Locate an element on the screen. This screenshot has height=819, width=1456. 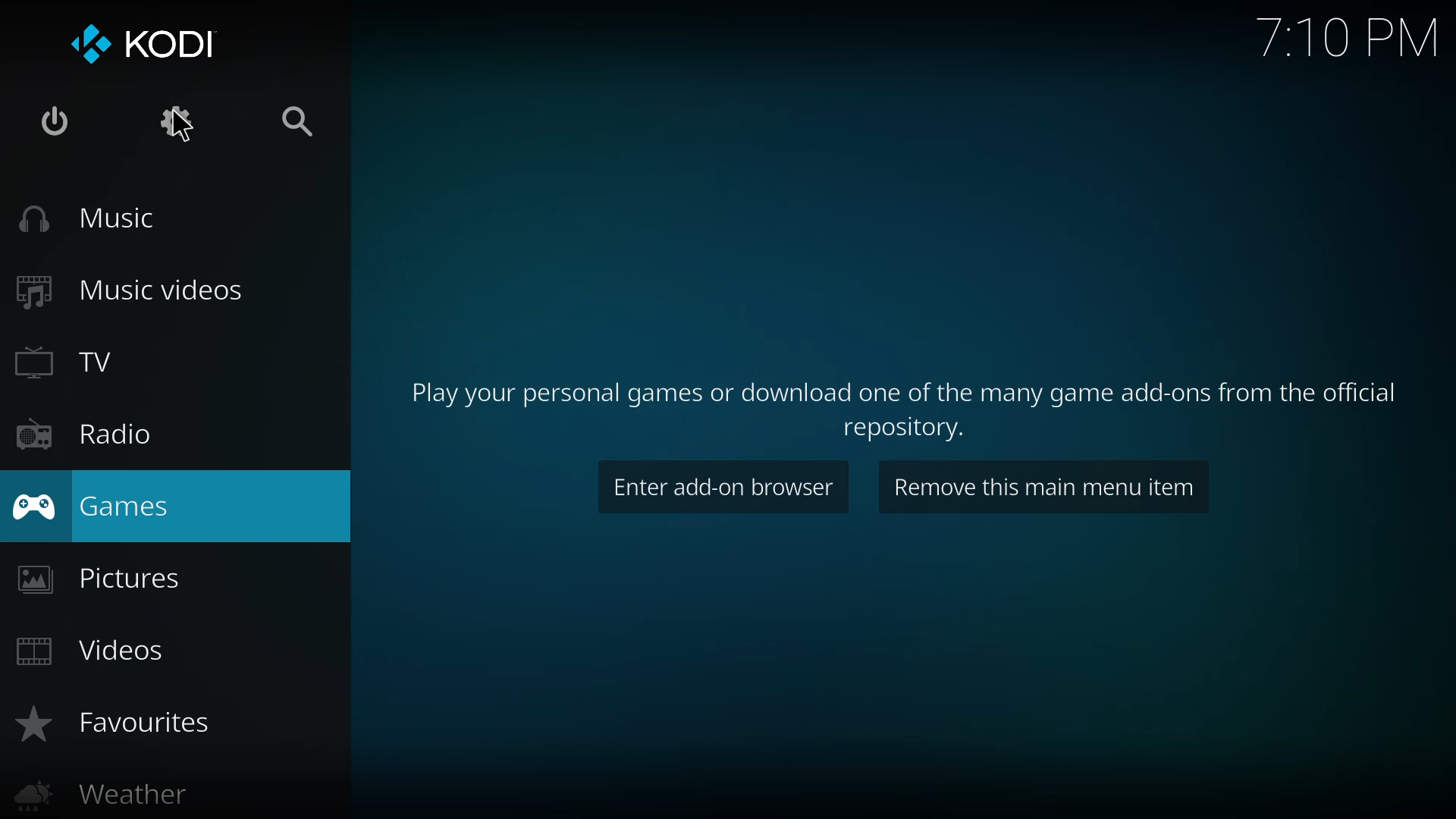
power is located at coordinates (52, 124).